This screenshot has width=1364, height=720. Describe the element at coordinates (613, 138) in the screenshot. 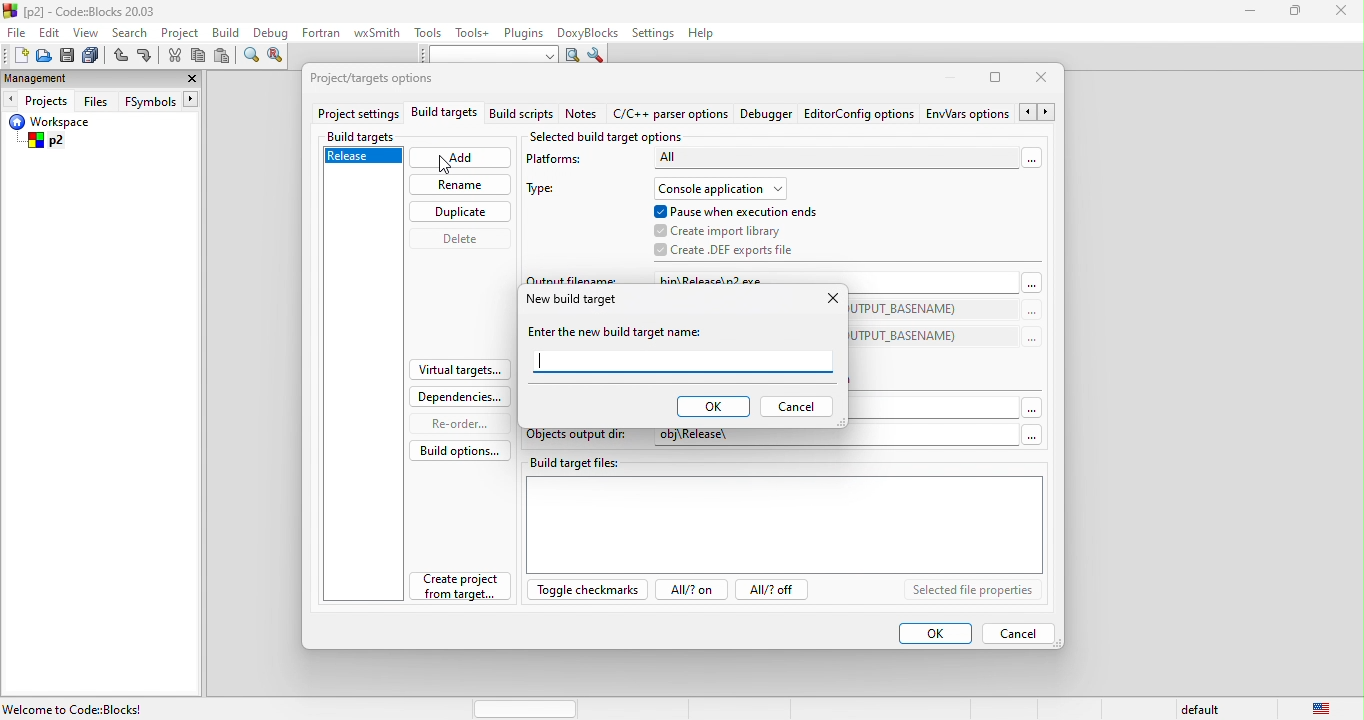

I see `selected build target option` at that location.